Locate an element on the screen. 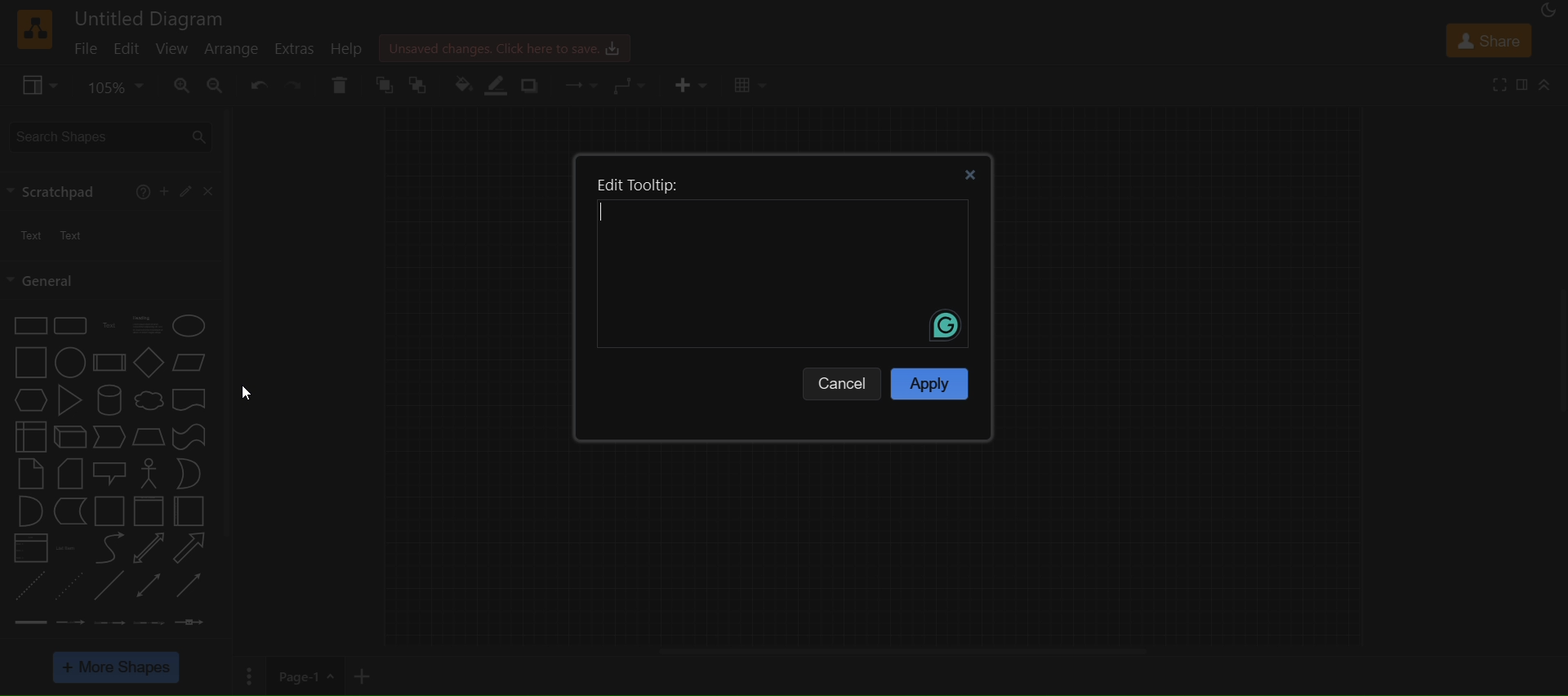  data storage is located at coordinates (67, 511).